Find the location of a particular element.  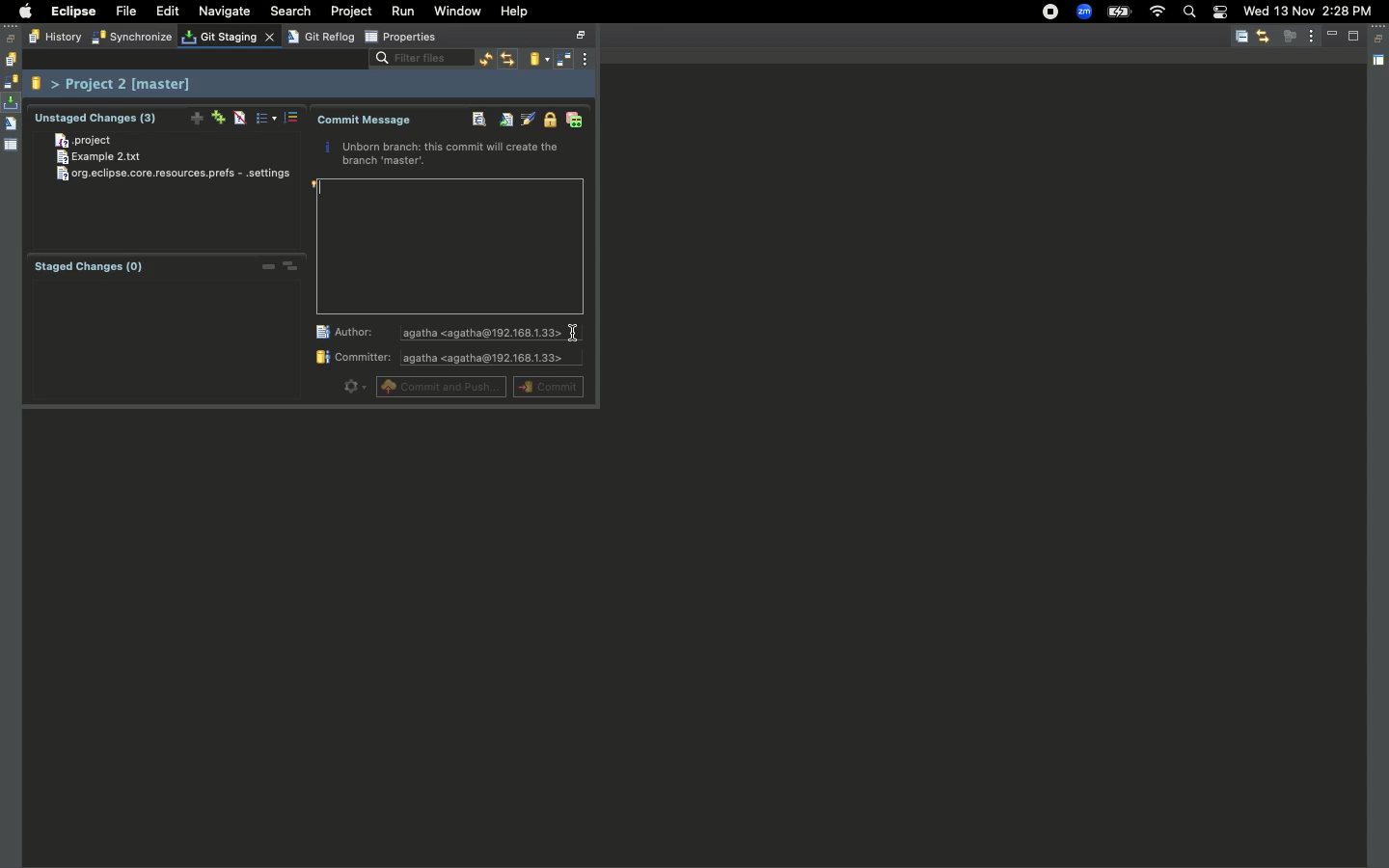

Project is located at coordinates (352, 12).